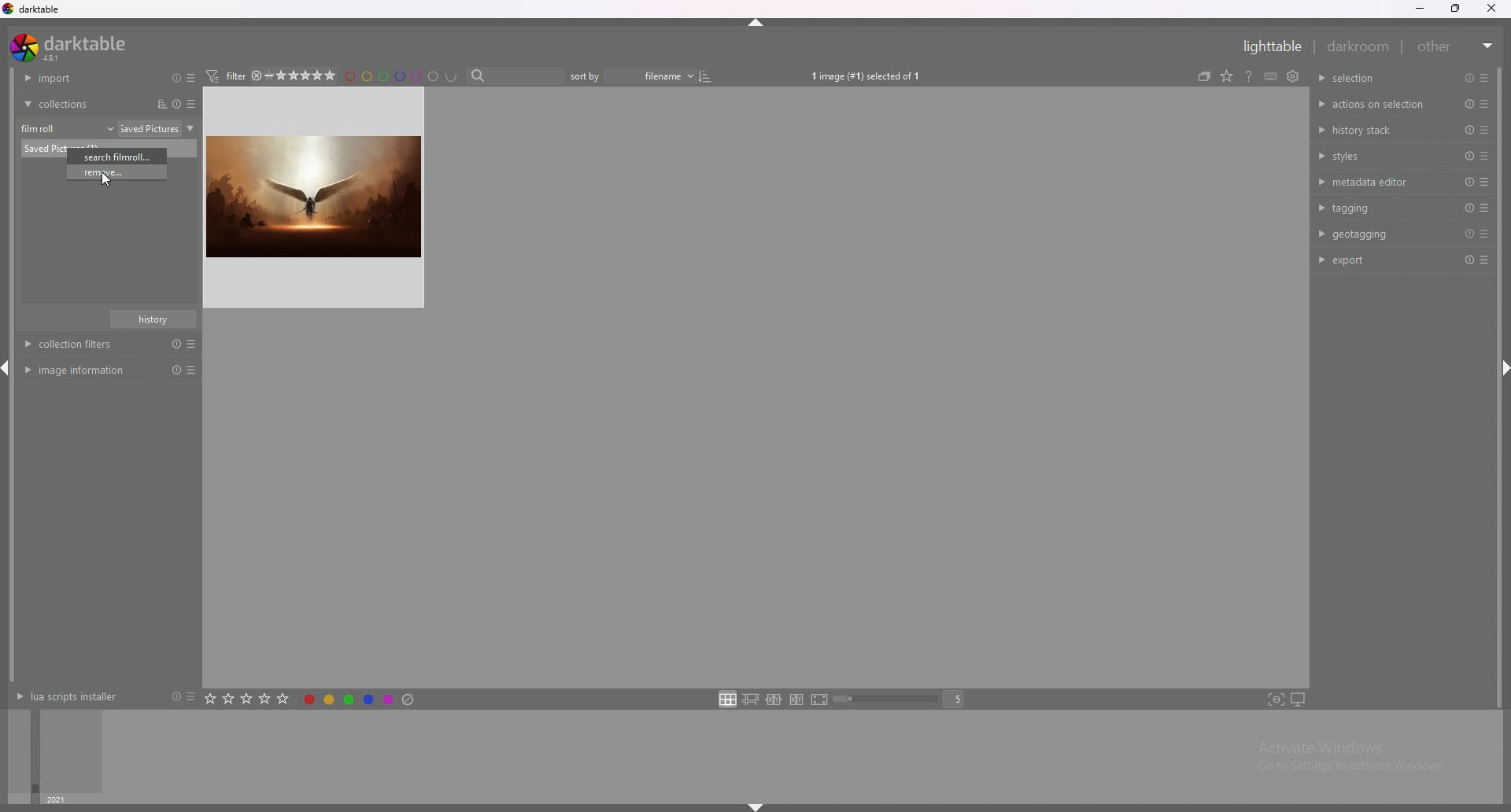  What do you see at coordinates (888, 700) in the screenshot?
I see `zoom bar` at bounding box center [888, 700].